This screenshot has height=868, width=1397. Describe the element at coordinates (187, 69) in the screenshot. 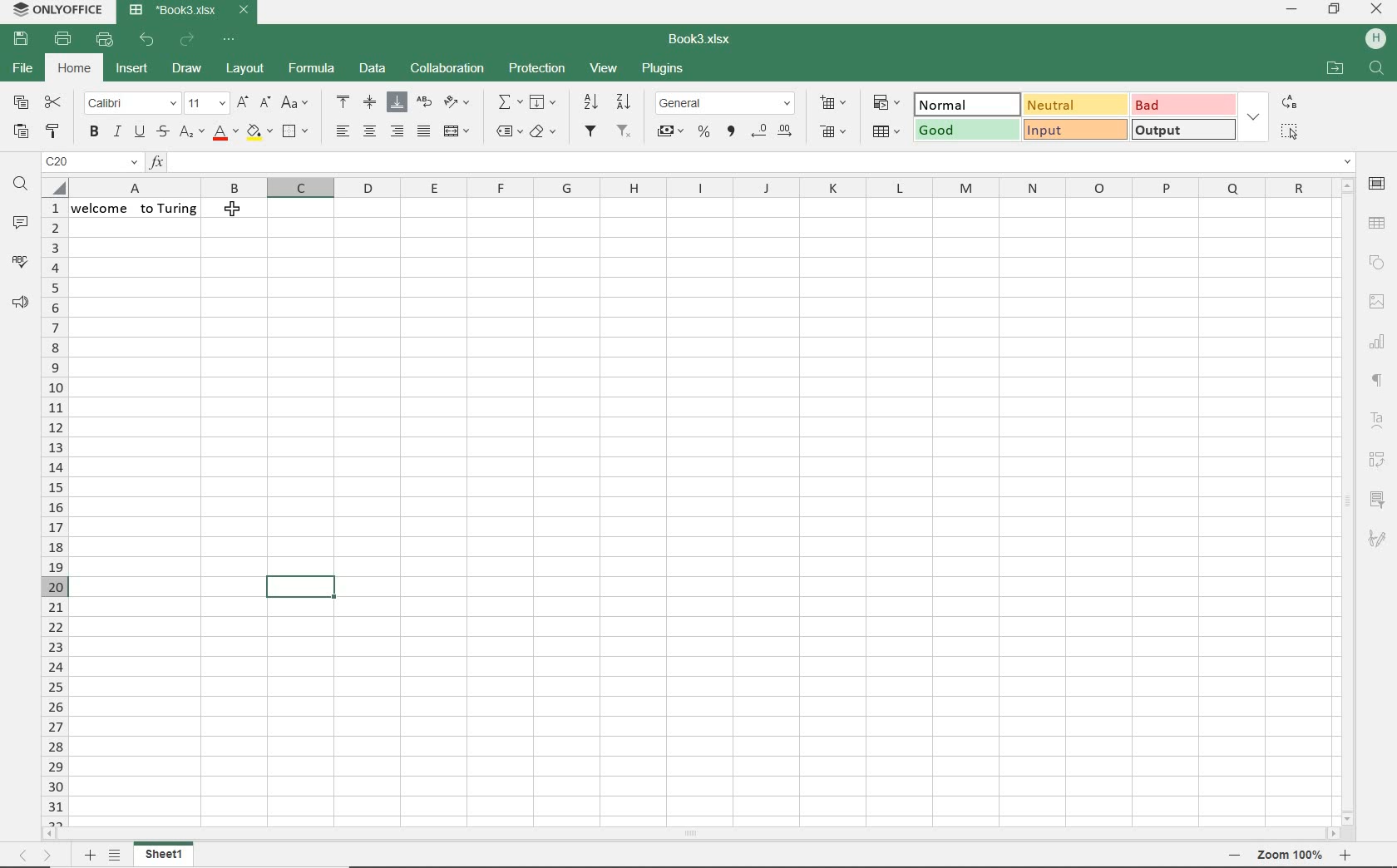

I see `draw` at that location.